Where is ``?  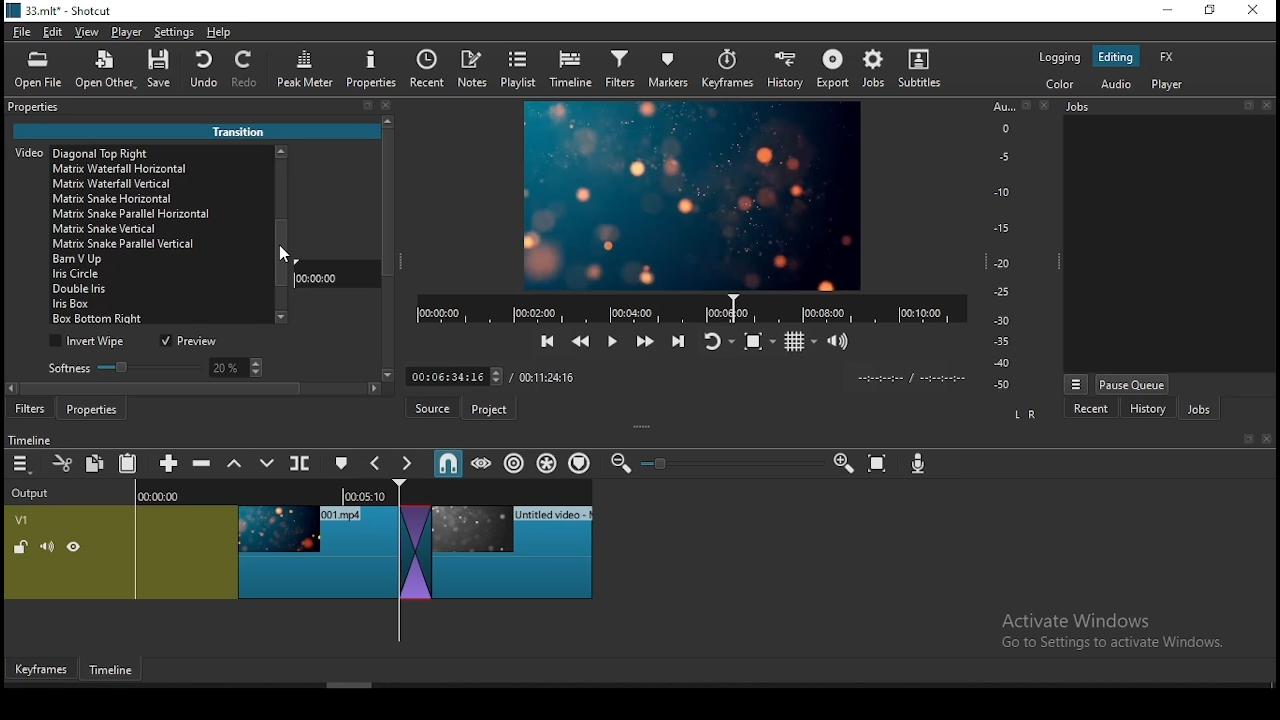
 is located at coordinates (1266, 440).